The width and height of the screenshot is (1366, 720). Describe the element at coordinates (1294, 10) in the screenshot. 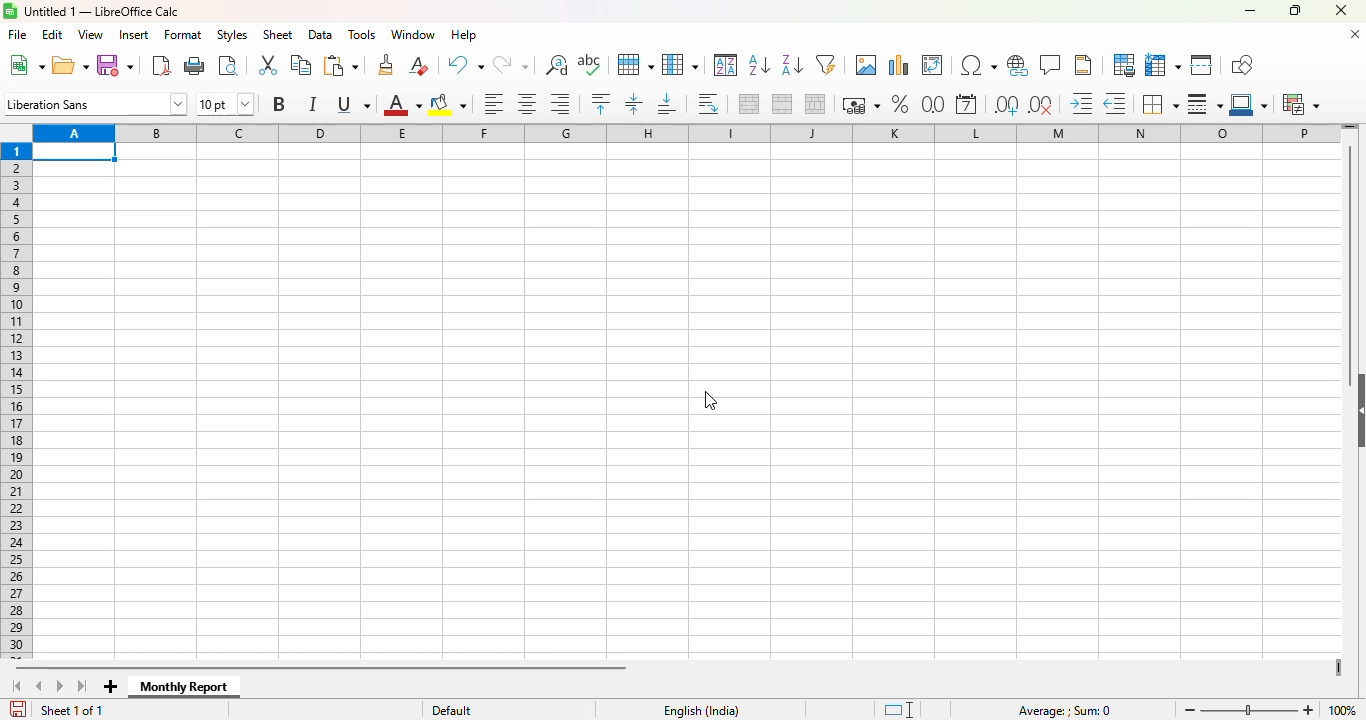

I see `maximize` at that location.